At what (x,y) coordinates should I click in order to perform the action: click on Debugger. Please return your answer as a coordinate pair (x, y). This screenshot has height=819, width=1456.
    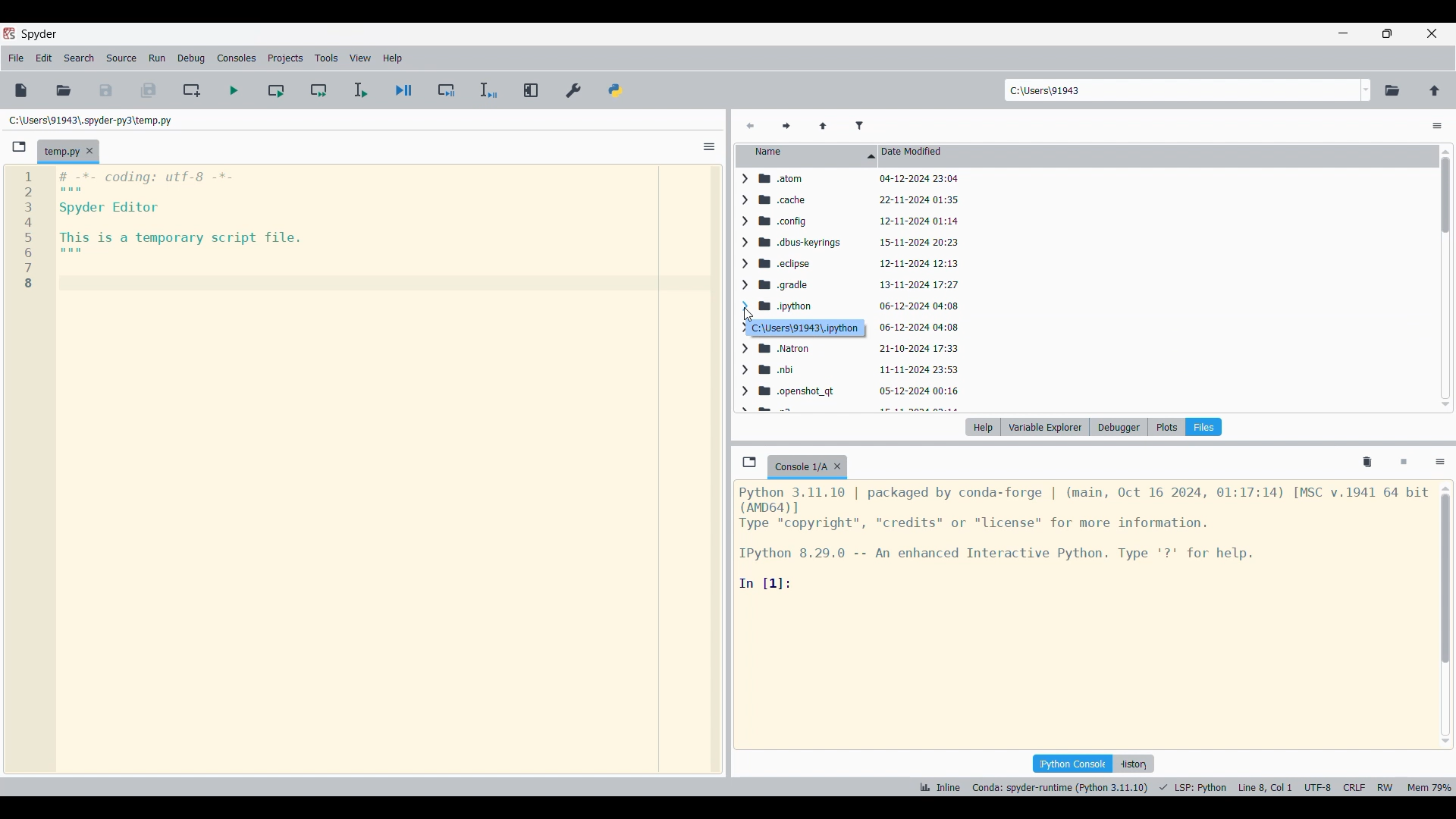
    Looking at the image, I should click on (1119, 427).